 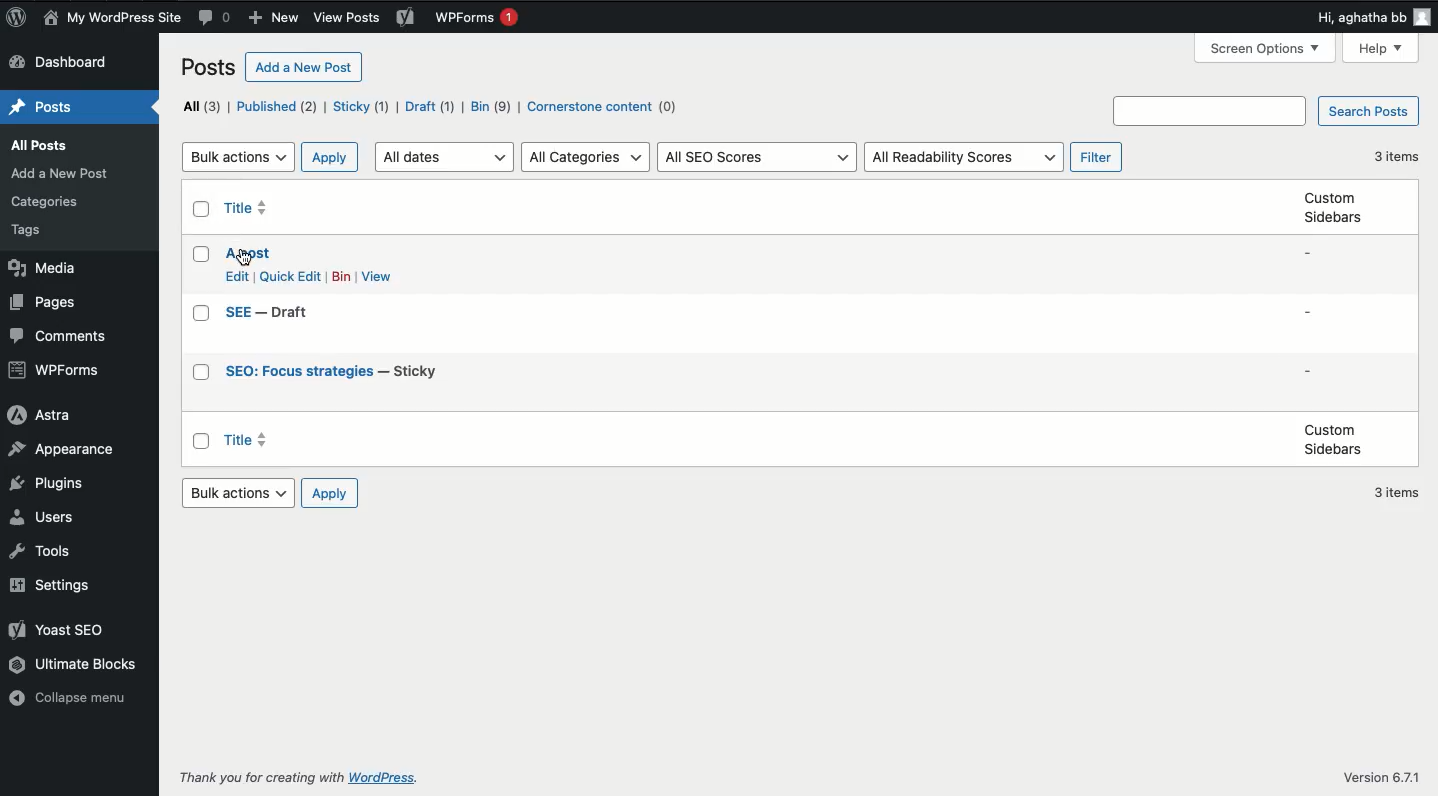 I want to click on WPForms, so click(x=485, y=15).